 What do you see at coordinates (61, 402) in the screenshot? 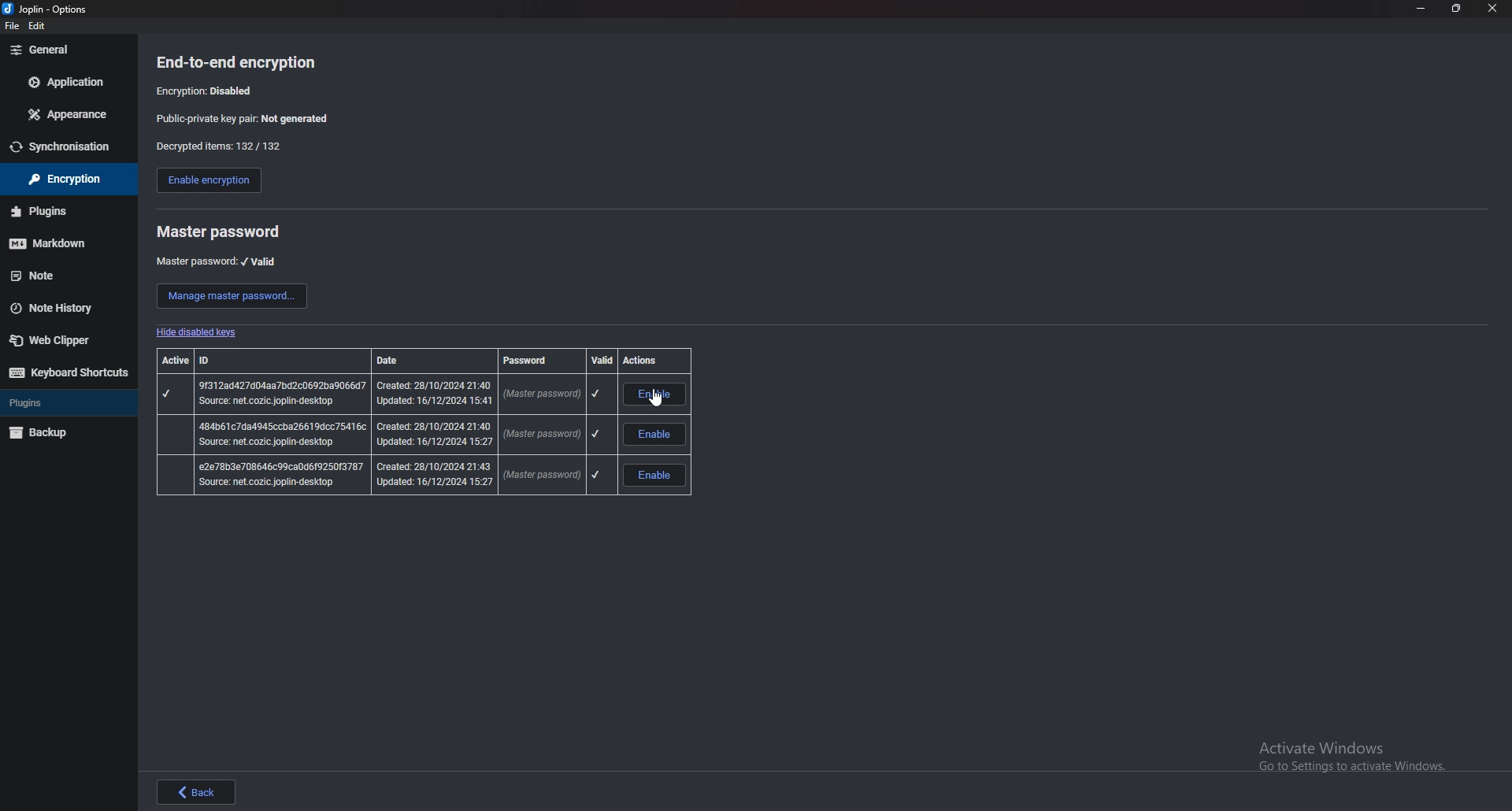
I see `plugins` at bounding box center [61, 402].